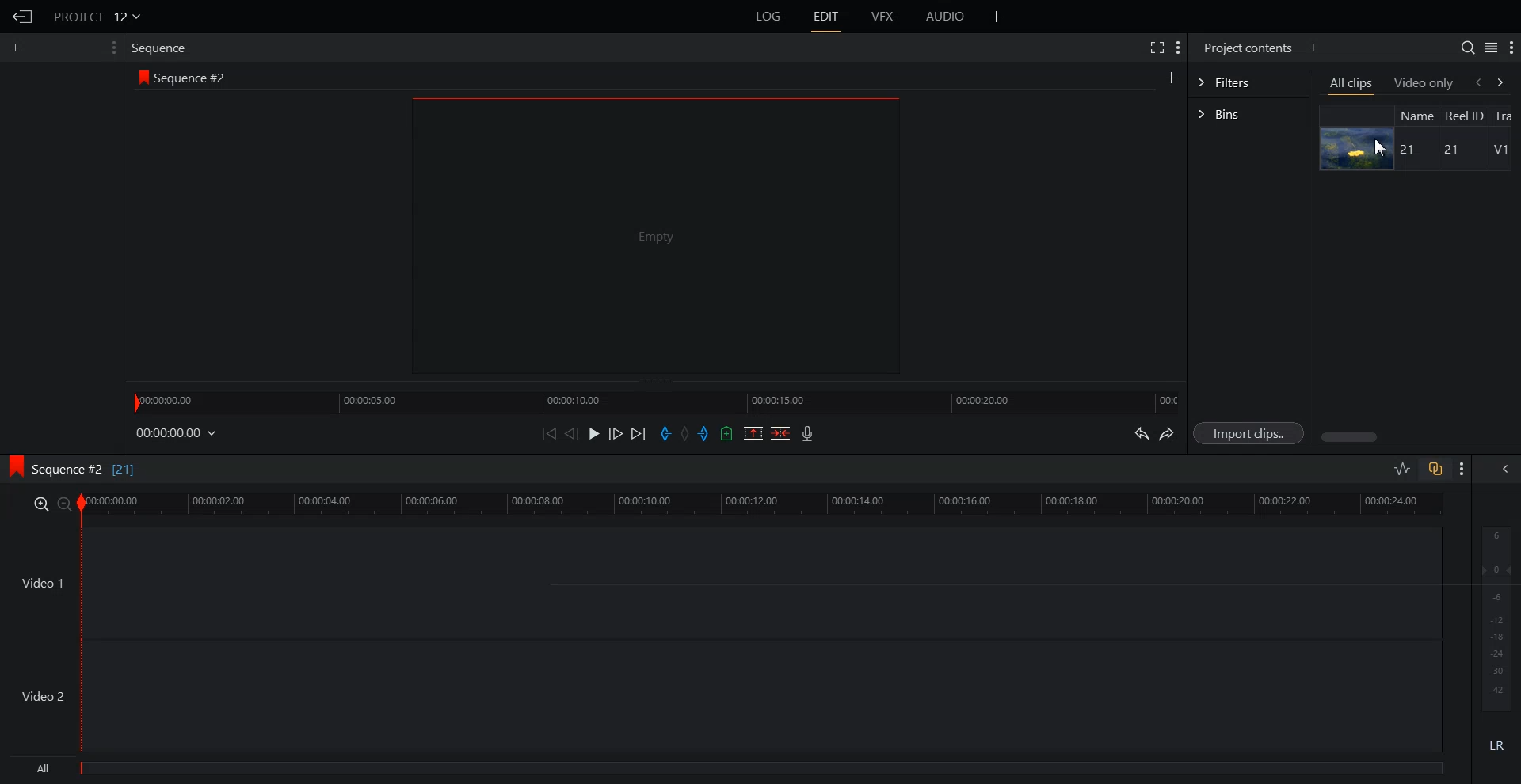 The image size is (1521, 784). What do you see at coordinates (1462, 470) in the screenshot?
I see `Show Setting Menu` at bounding box center [1462, 470].